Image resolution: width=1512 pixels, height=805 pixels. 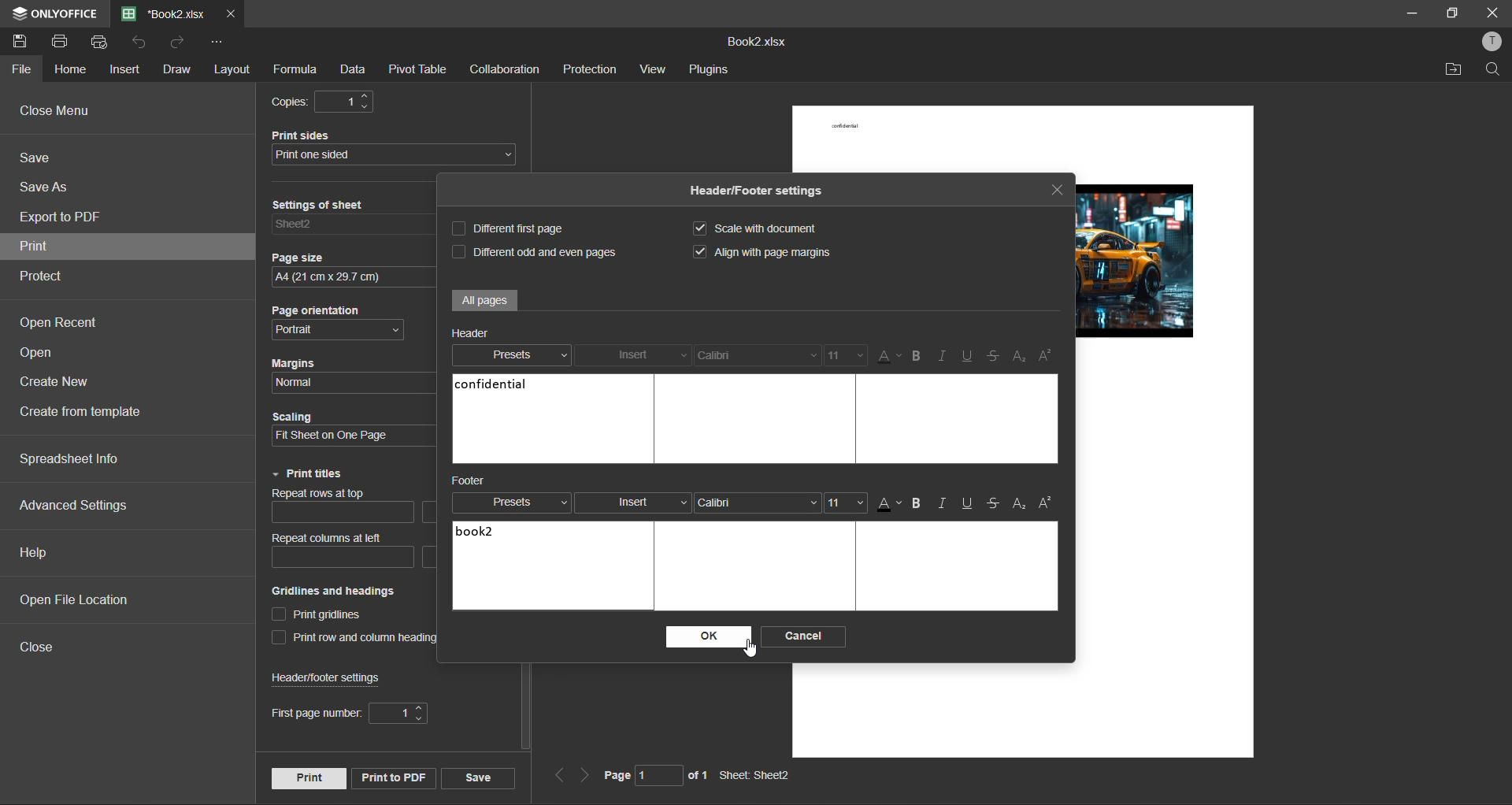 I want to click on home, so click(x=69, y=70).